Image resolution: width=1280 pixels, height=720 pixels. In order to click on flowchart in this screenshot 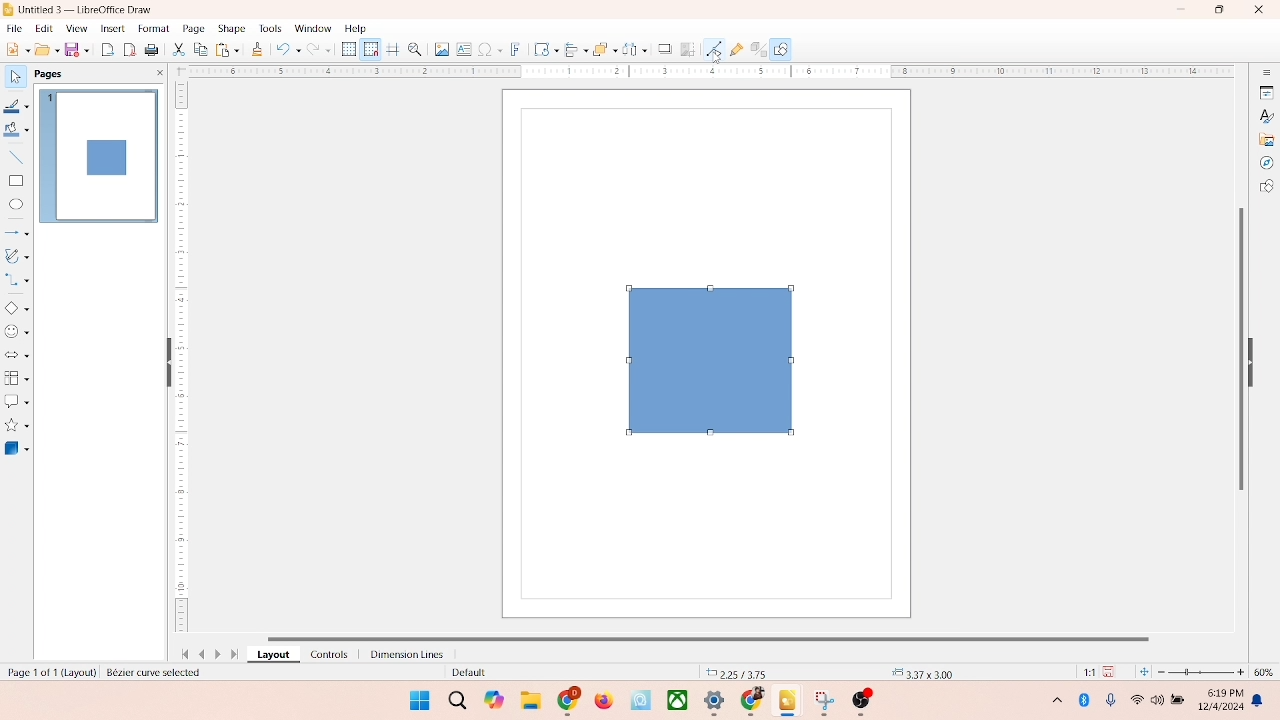, I will do `click(16, 378)`.